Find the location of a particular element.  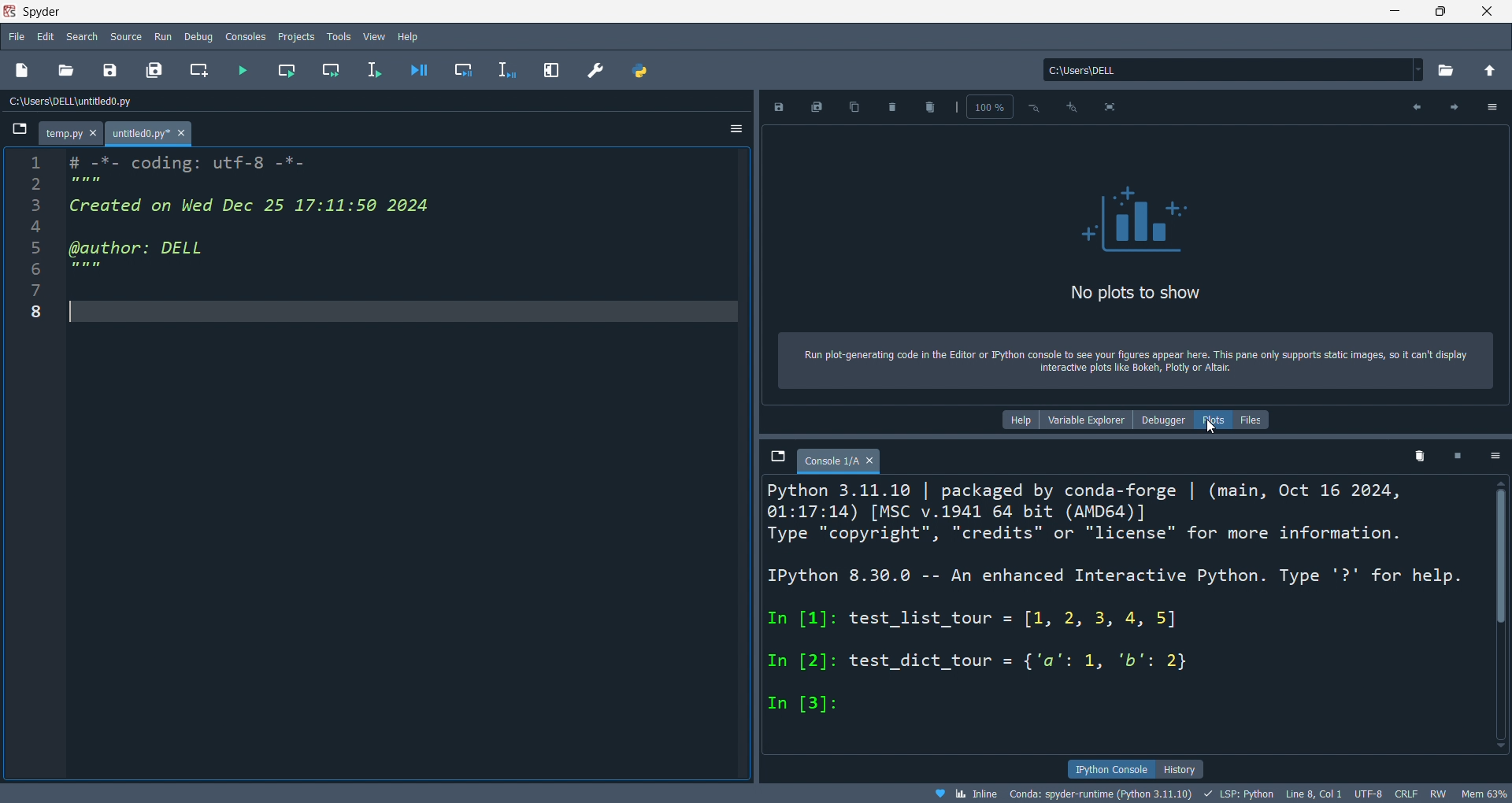

zoom percentage is located at coordinates (983, 107).